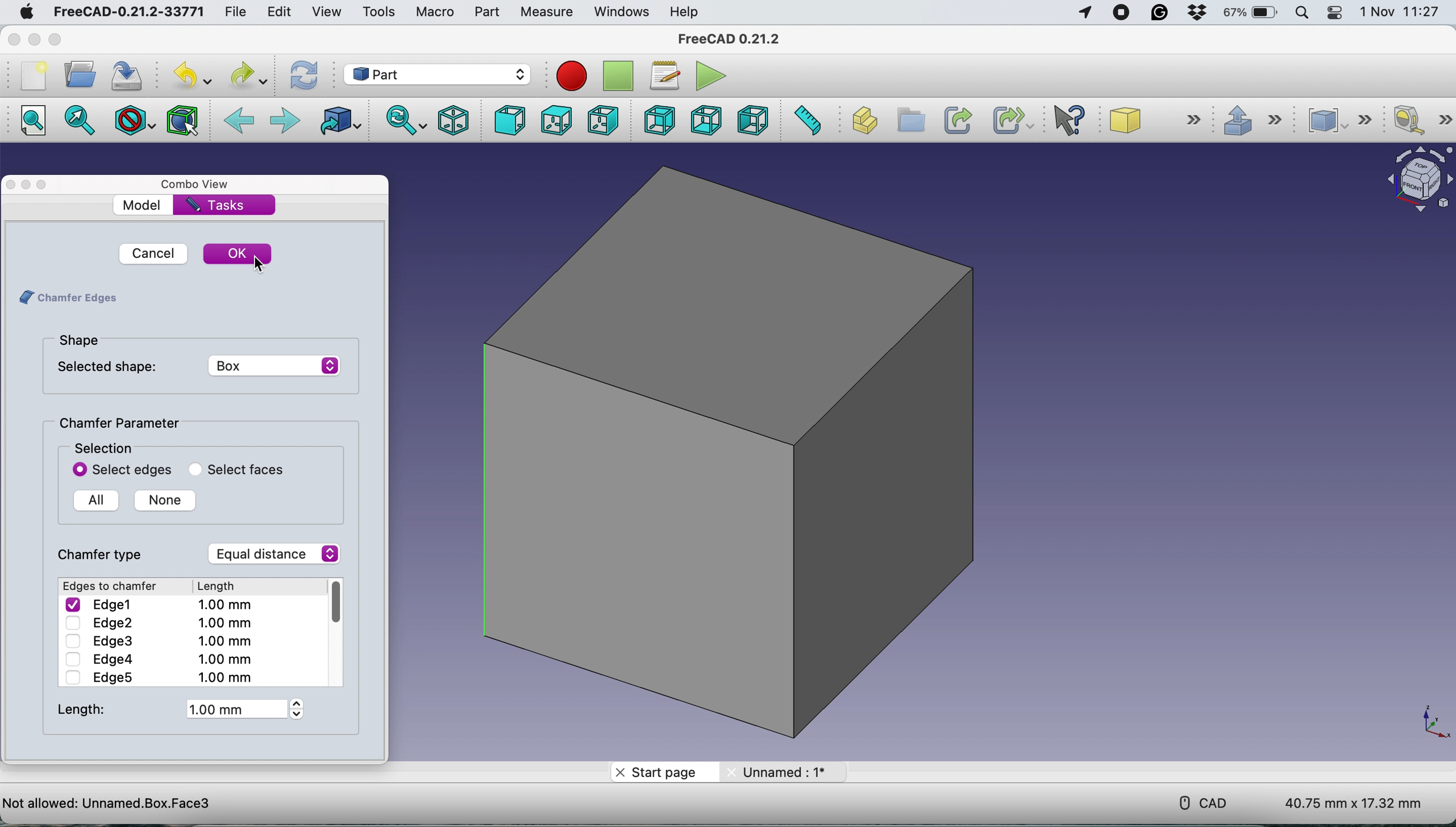 Image resolution: width=1456 pixels, height=827 pixels. I want to click on cursor, so click(261, 265).